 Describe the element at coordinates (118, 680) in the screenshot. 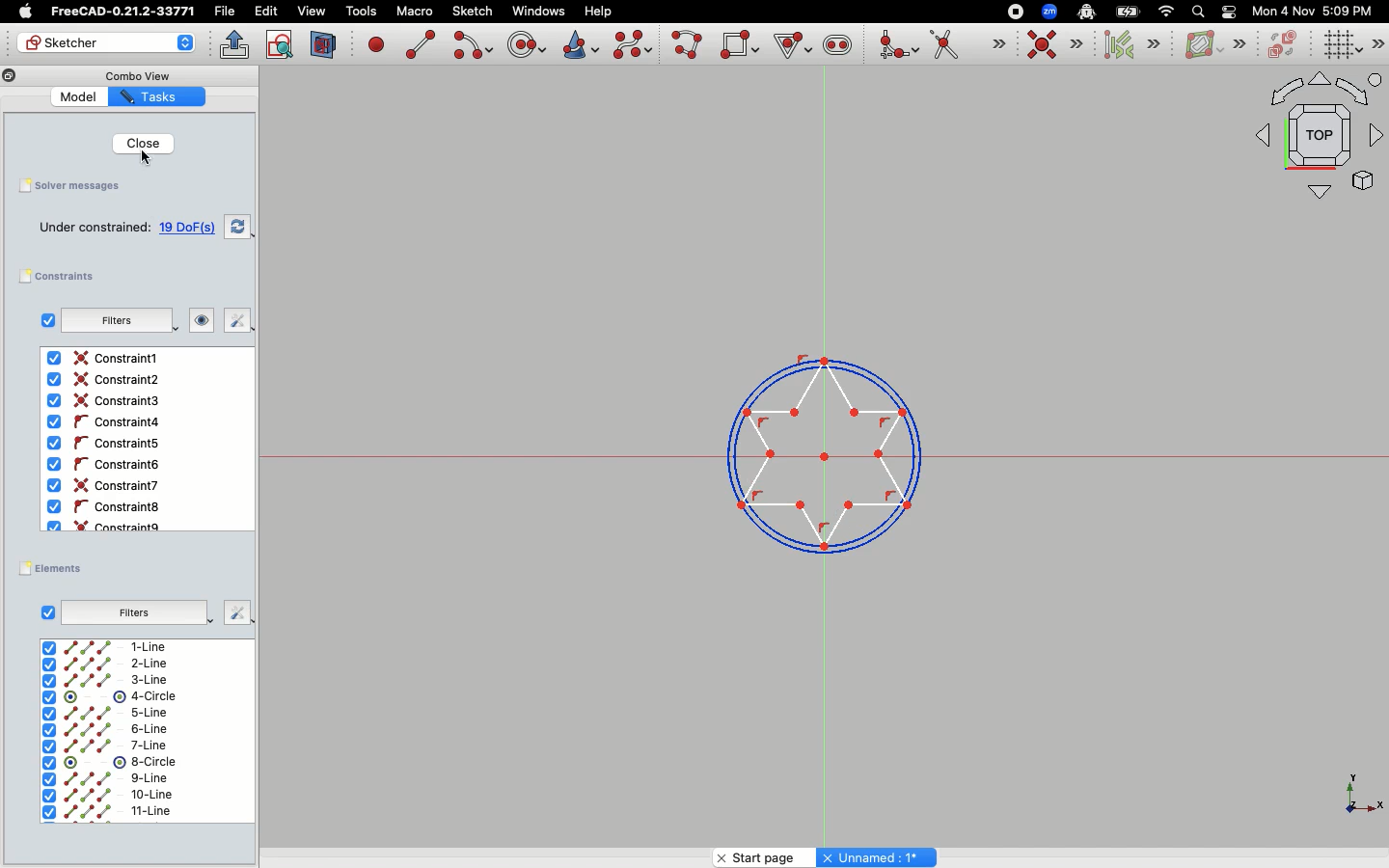

I see `3-Line` at that location.